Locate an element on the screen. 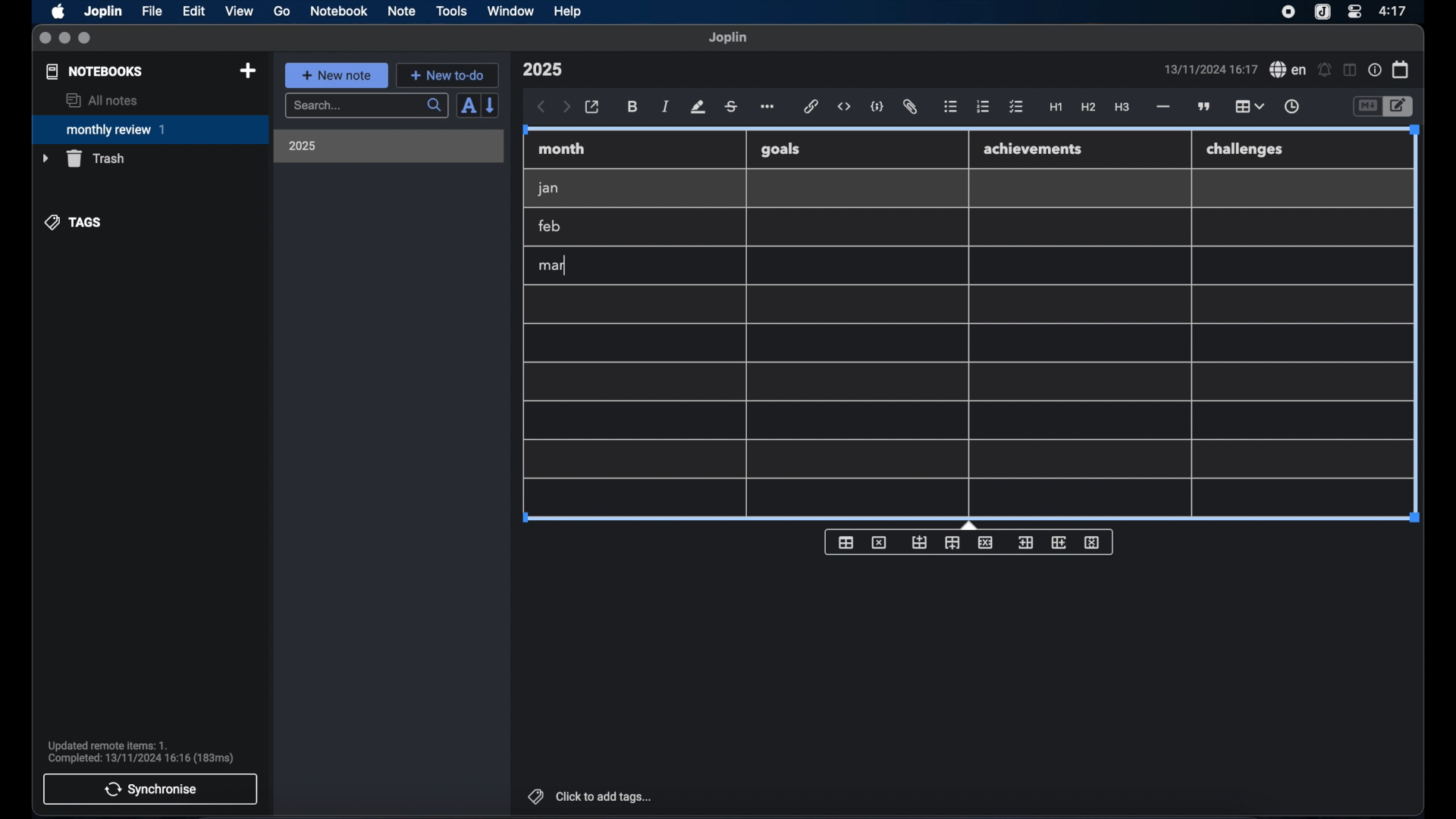 The width and height of the screenshot is (1456, 819). delete row is located at coordinates (987, 541).